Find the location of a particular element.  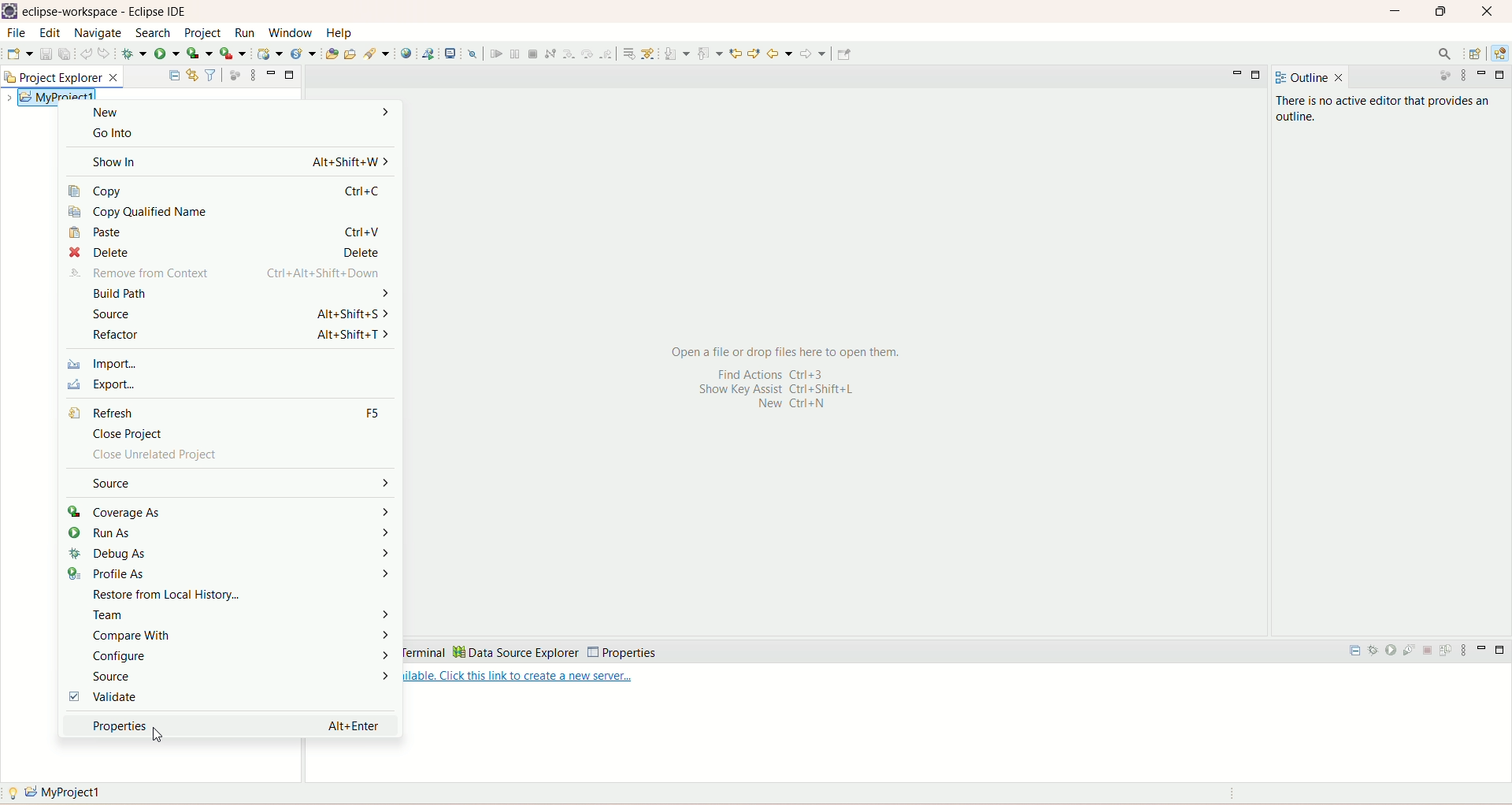

profile as is located at coordinates (228, 575).